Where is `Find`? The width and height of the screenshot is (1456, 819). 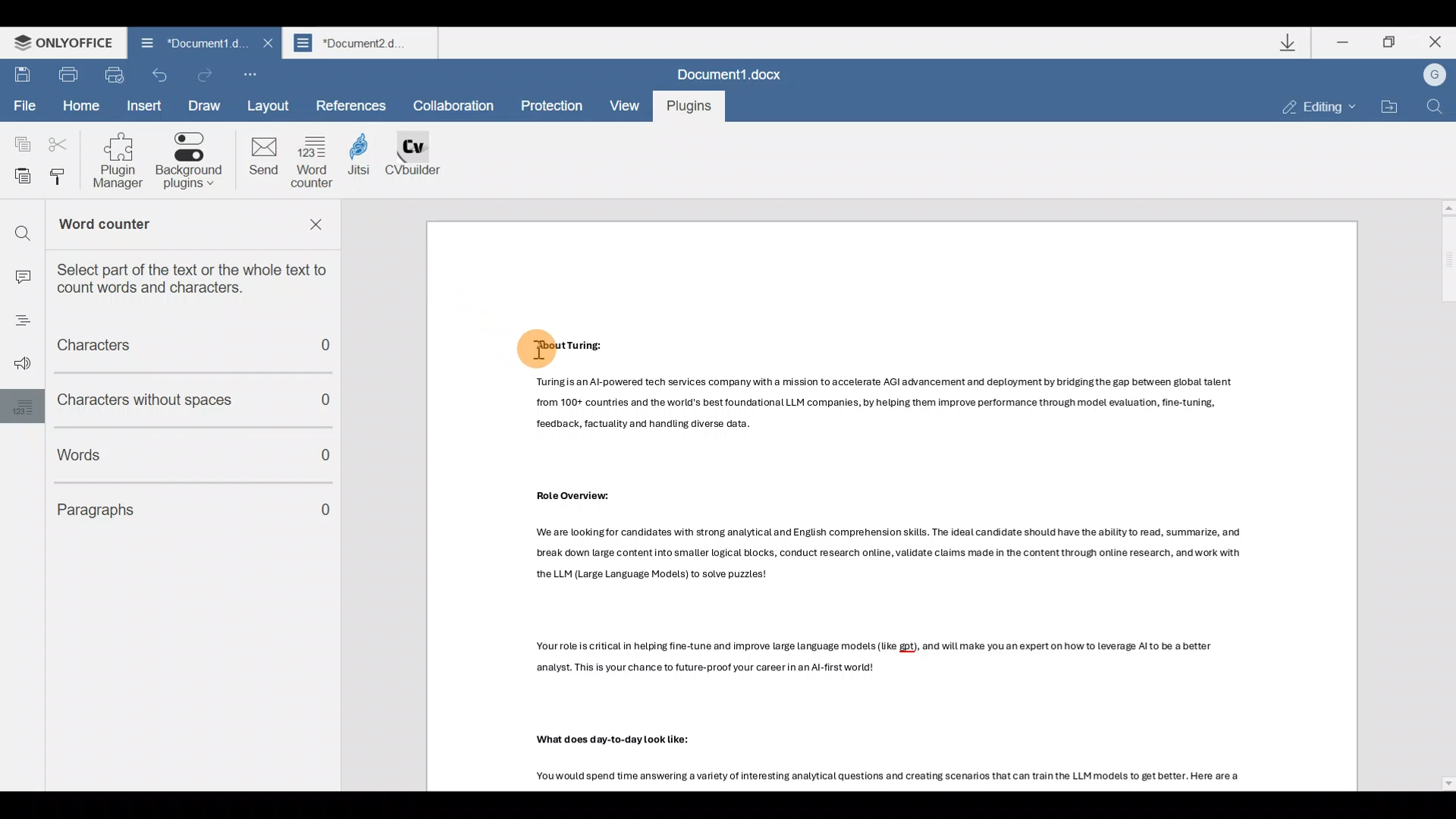 Find is located at coordinates (1438, 108).